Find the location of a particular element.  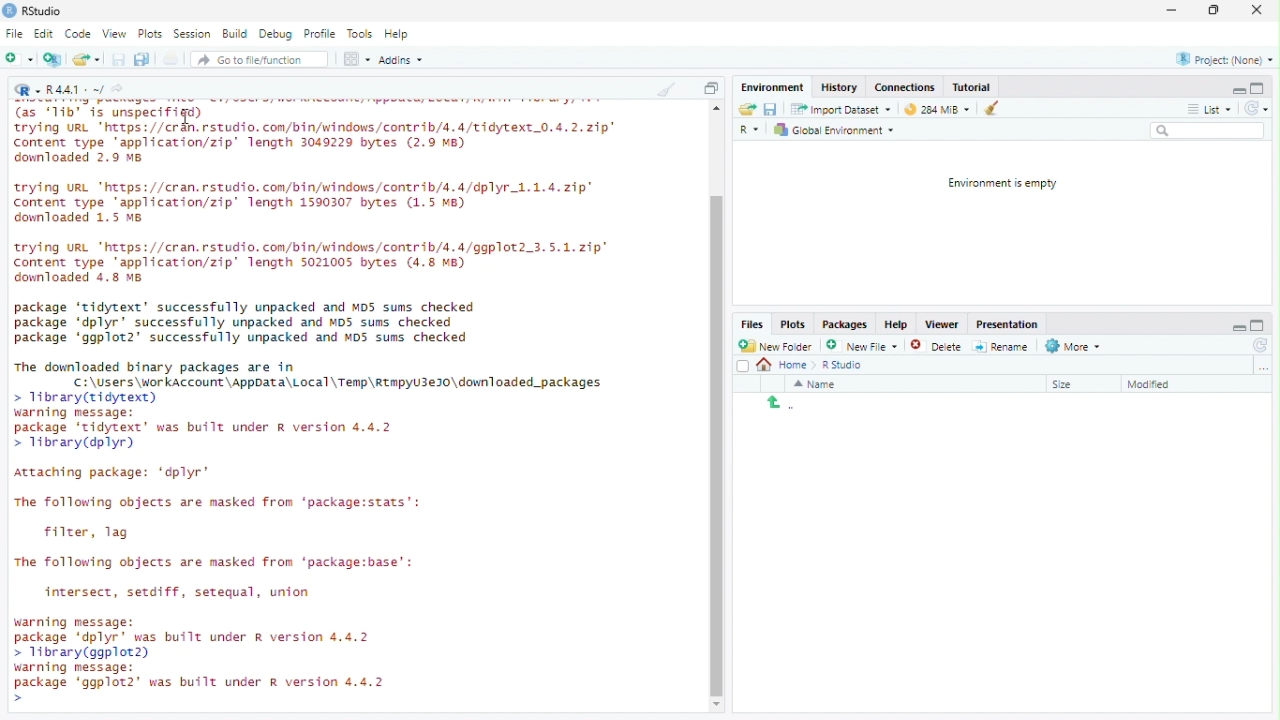

Open is located at coordinates (85, 59).